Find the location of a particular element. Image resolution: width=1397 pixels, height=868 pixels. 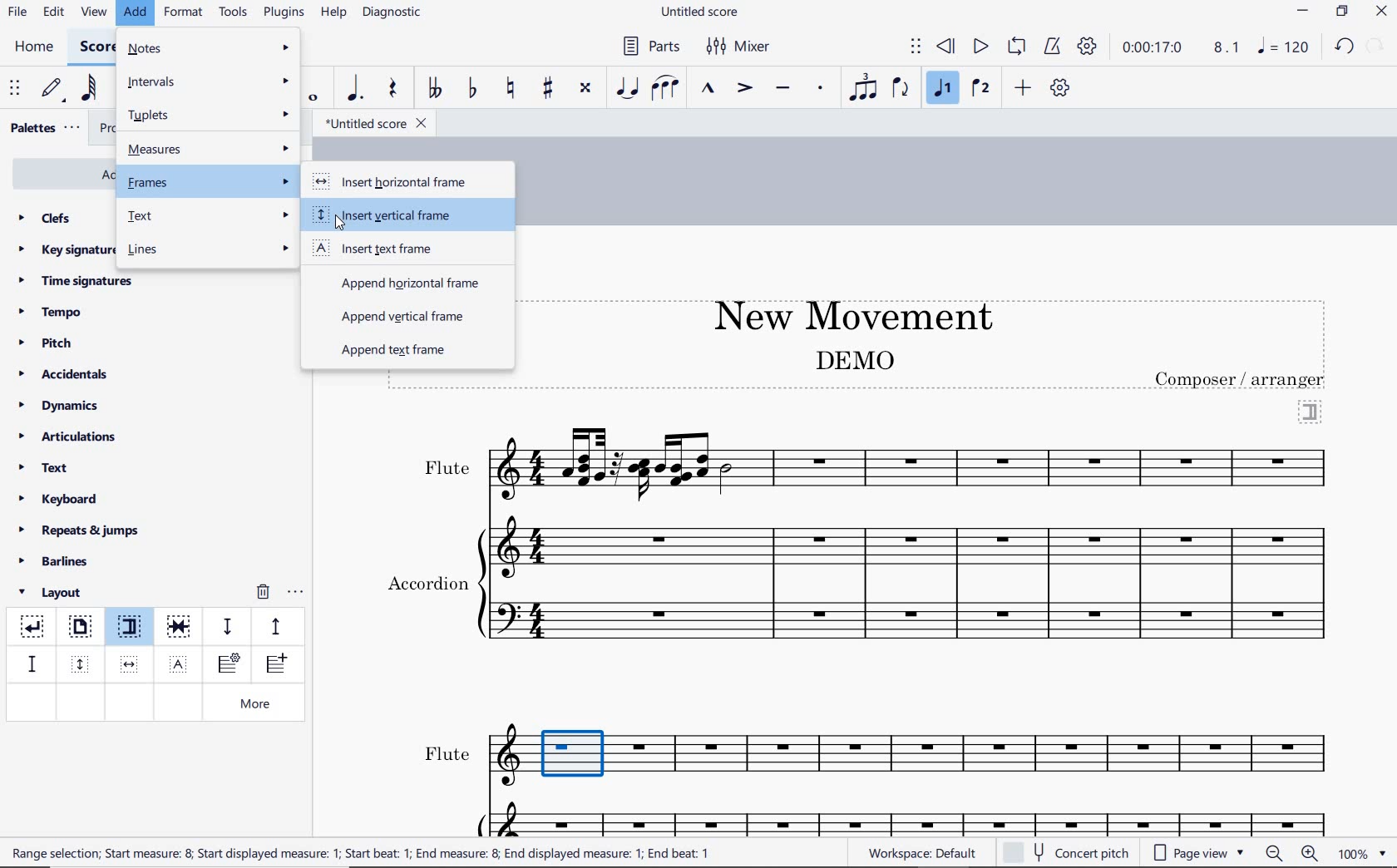

more is located at coordinates (259, 705).